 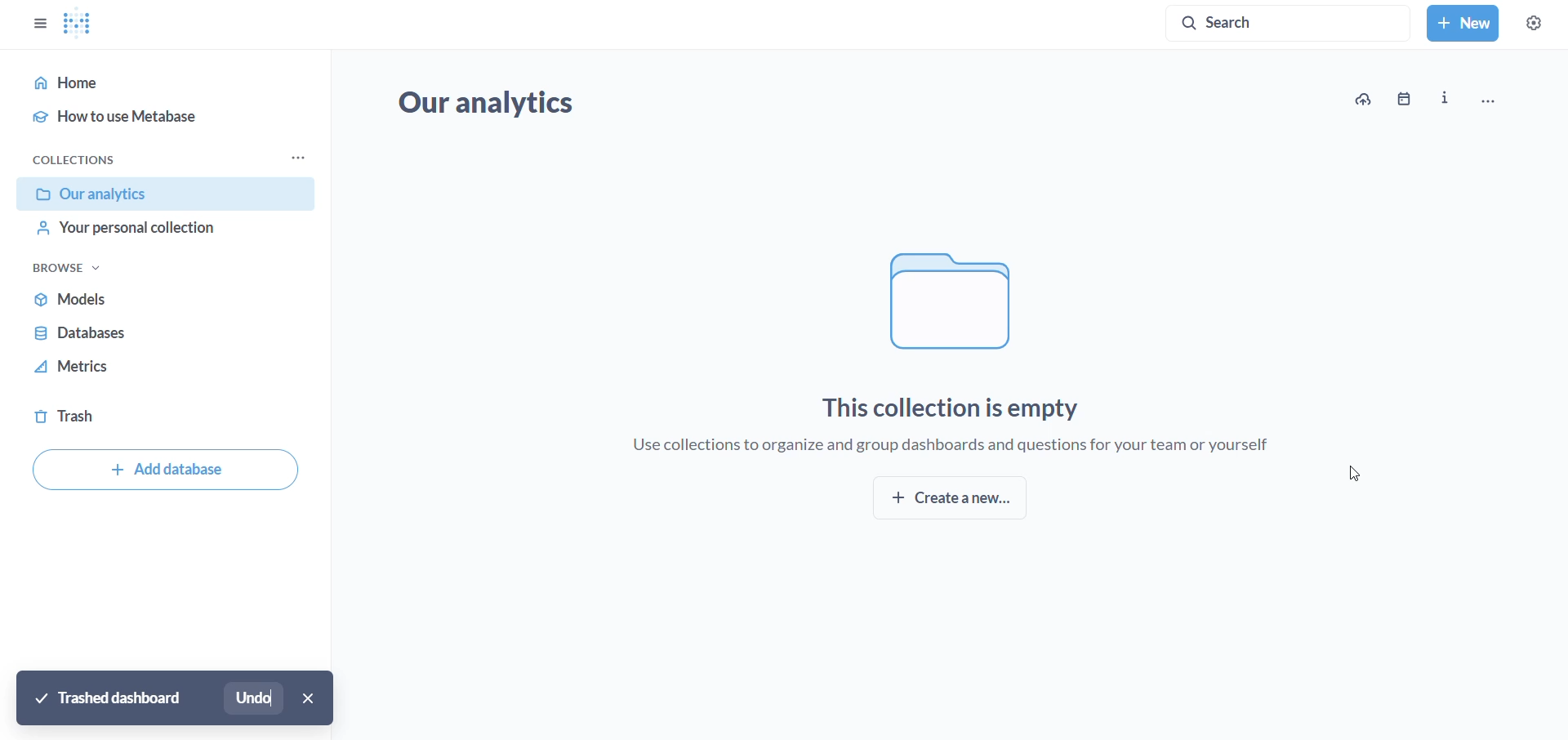 I want to click on undo, so click(x=258, y=698).